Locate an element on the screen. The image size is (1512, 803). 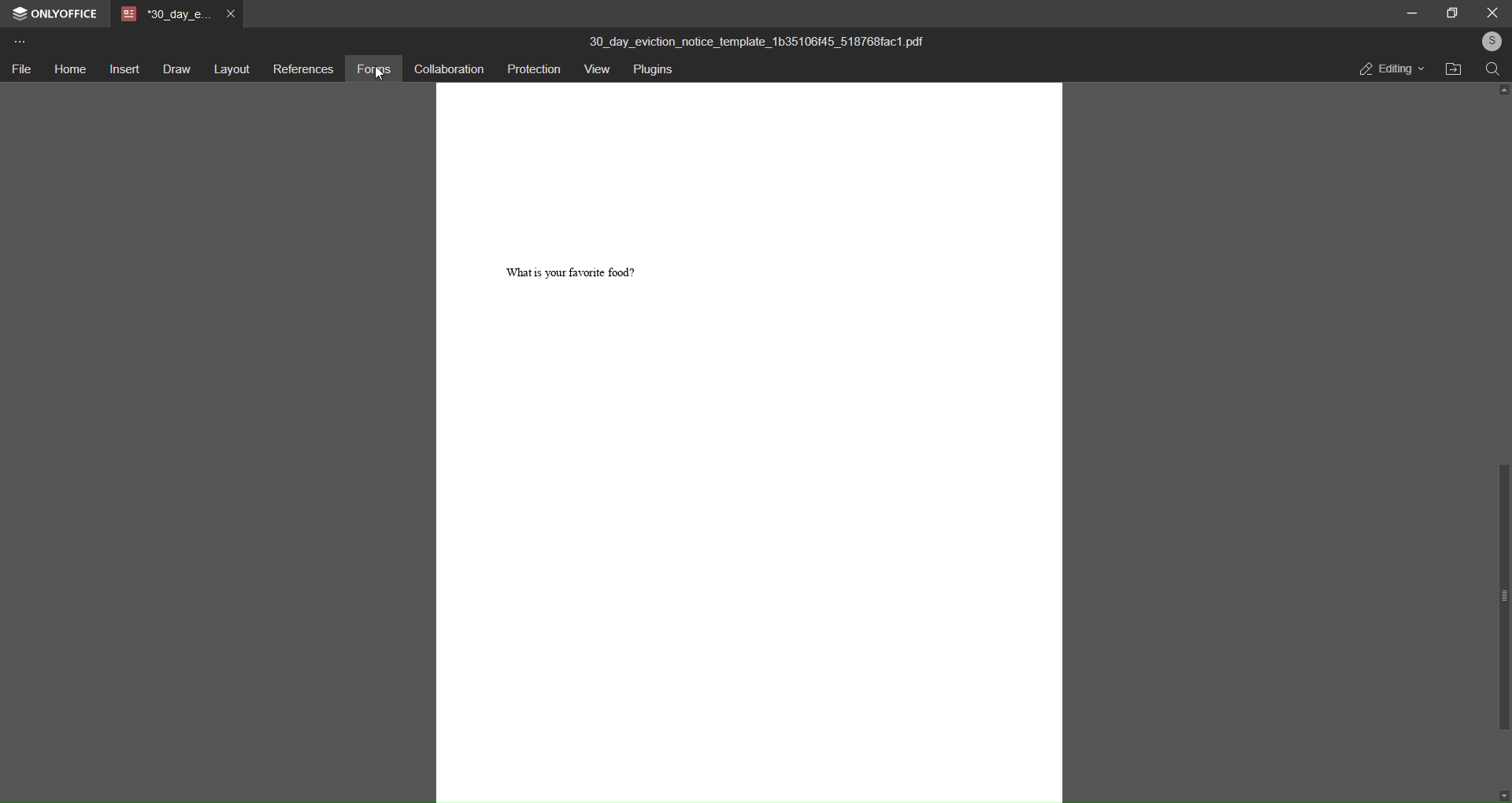
protection is located at coordinates (531, 69).